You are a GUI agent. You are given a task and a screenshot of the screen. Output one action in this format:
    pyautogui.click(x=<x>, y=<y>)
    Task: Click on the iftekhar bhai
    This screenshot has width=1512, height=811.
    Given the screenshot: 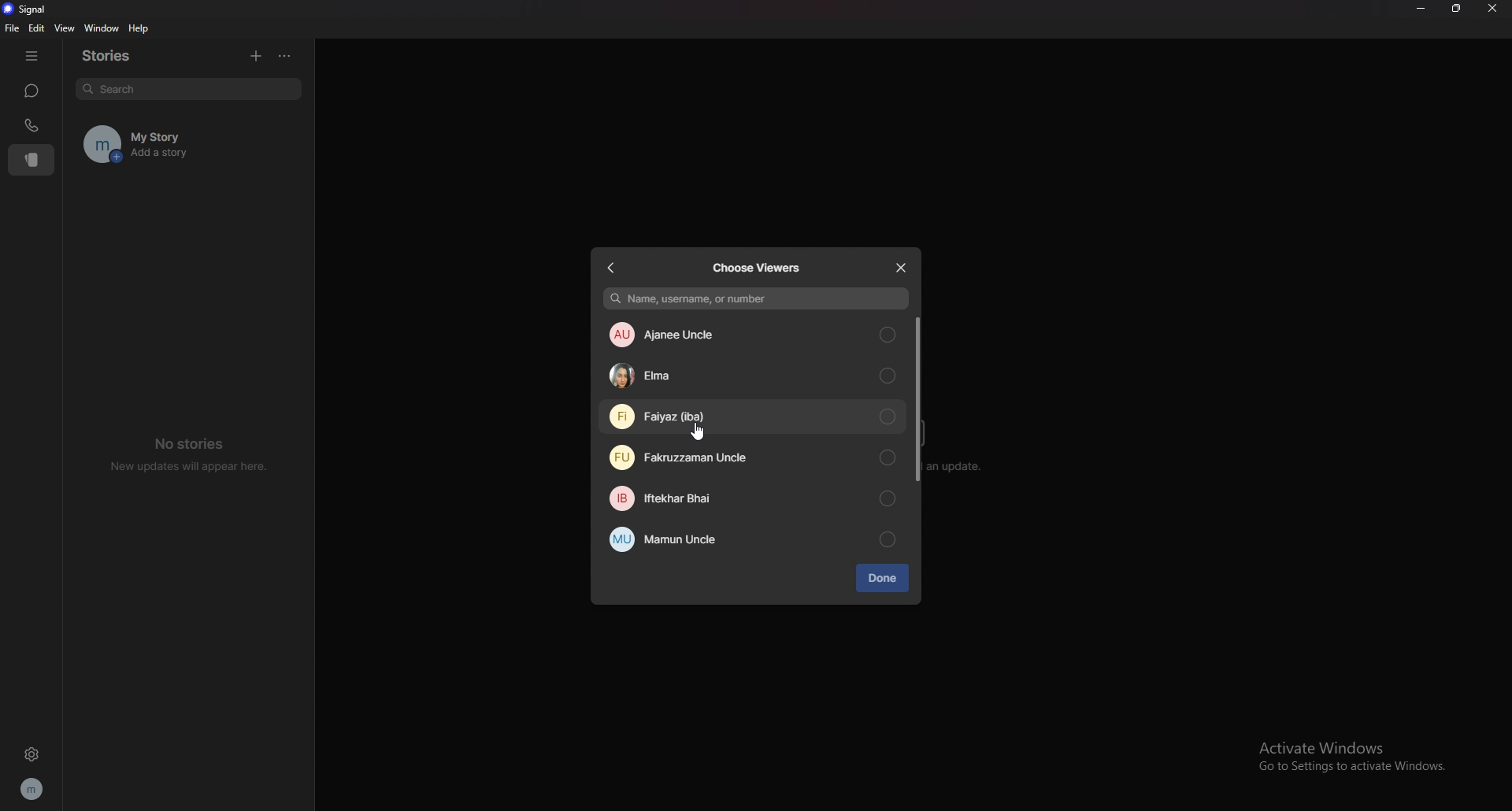 What is the action you would take?
    pyautogui.click(x=753, y=499)
    